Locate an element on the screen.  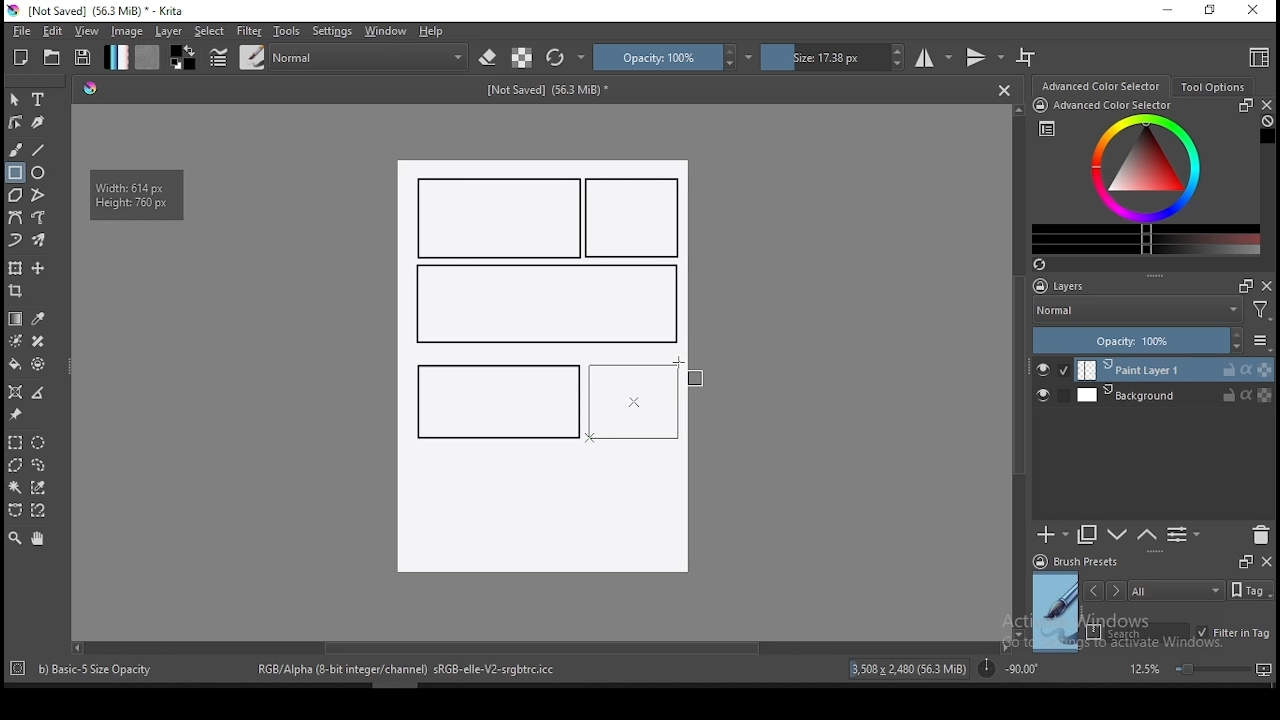
Clear is located at coordinates (1267, 123).